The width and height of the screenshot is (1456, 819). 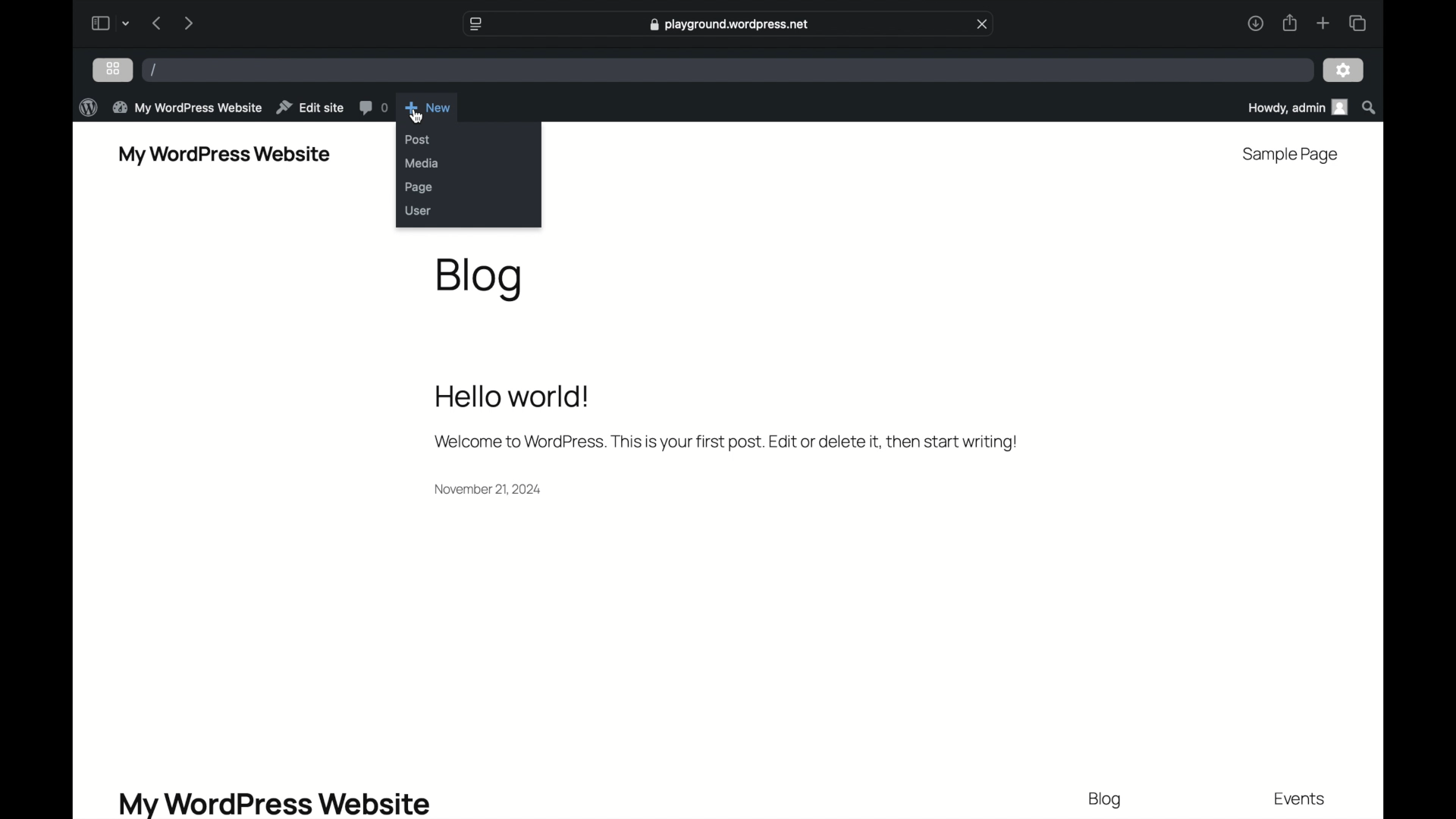 What do you see at coordinates (1357, 23) in the screenshot?
I see `show tab overview` at bounding box center [1357, 23].